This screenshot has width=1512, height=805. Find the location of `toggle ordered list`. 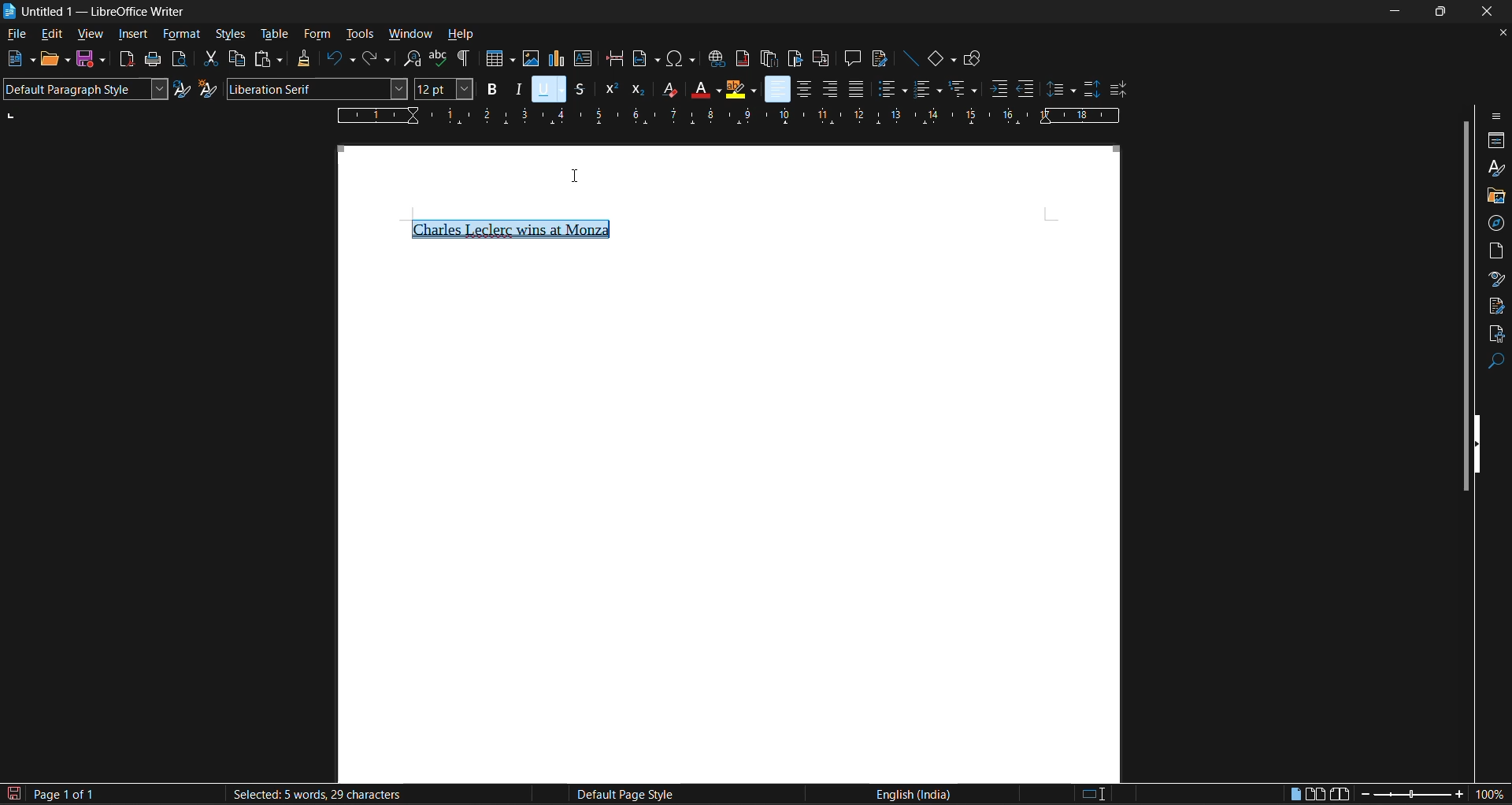

toggle ordered list is located at coordinates (929, 88).